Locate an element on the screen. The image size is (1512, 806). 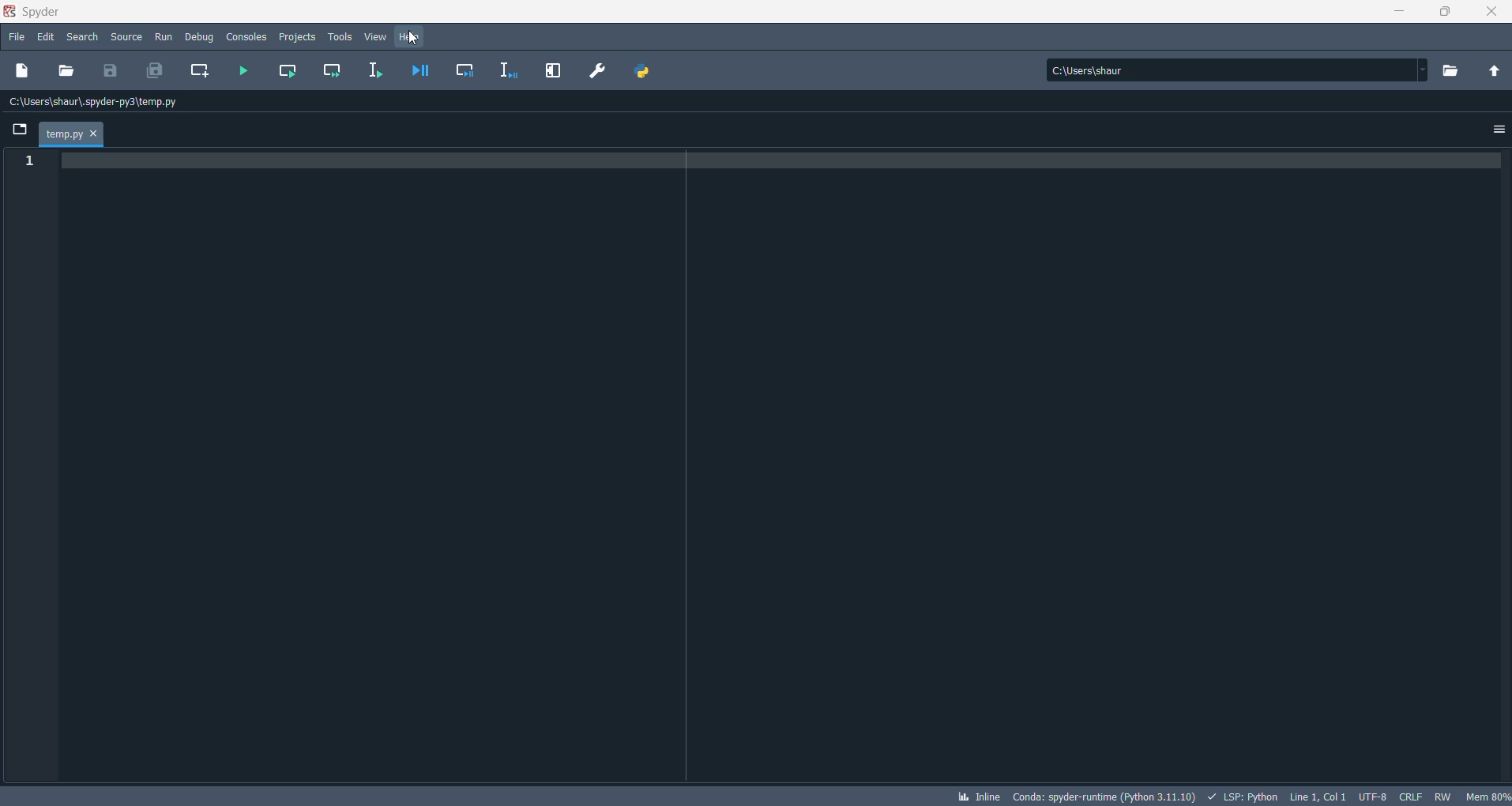
minimize is located at coordinates (1394, 13).